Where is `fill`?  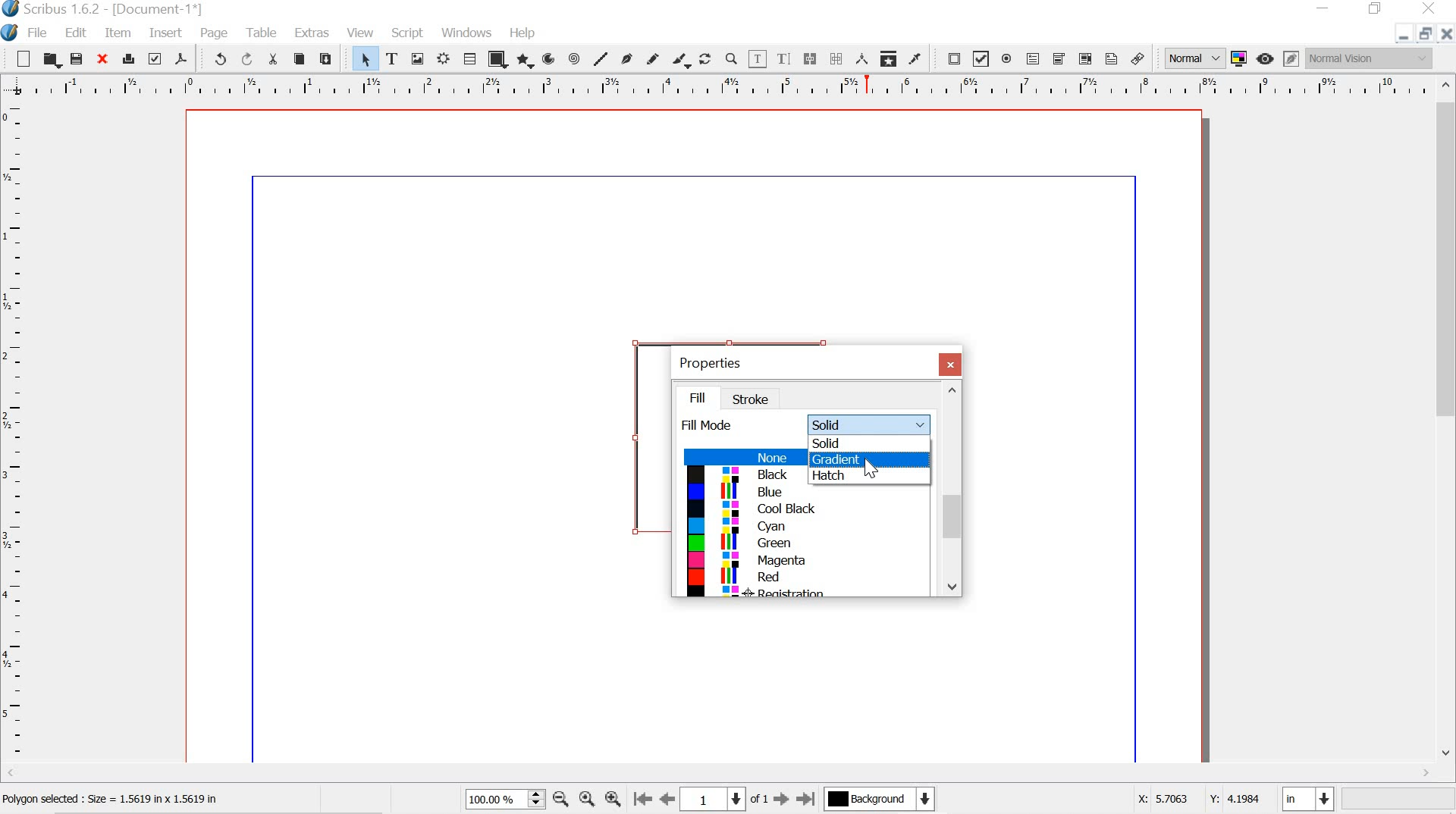 fill is located at coordinates (704, 396).